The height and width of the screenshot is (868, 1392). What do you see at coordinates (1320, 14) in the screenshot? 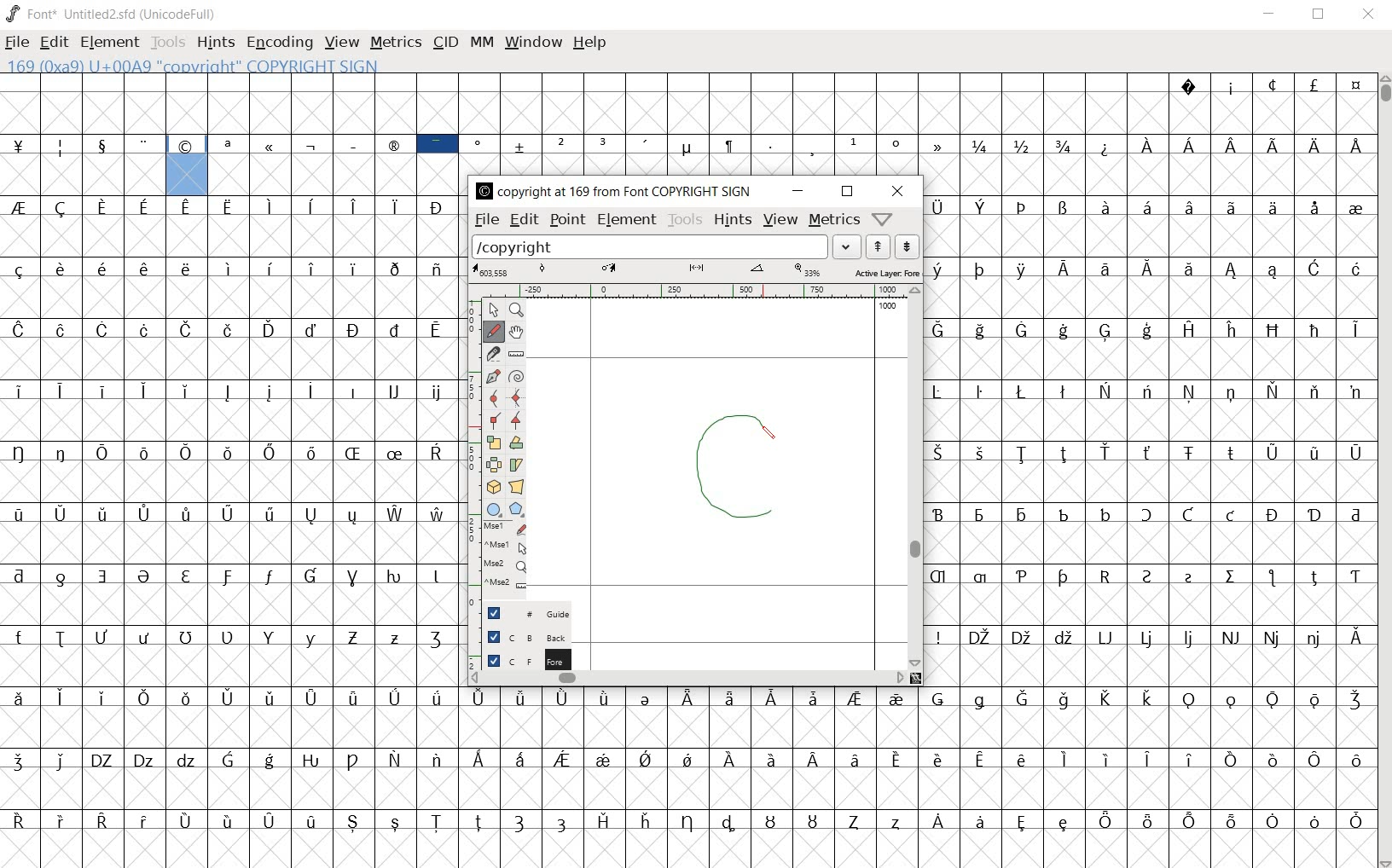
I see `restore` at bounding box center [1320, 14].